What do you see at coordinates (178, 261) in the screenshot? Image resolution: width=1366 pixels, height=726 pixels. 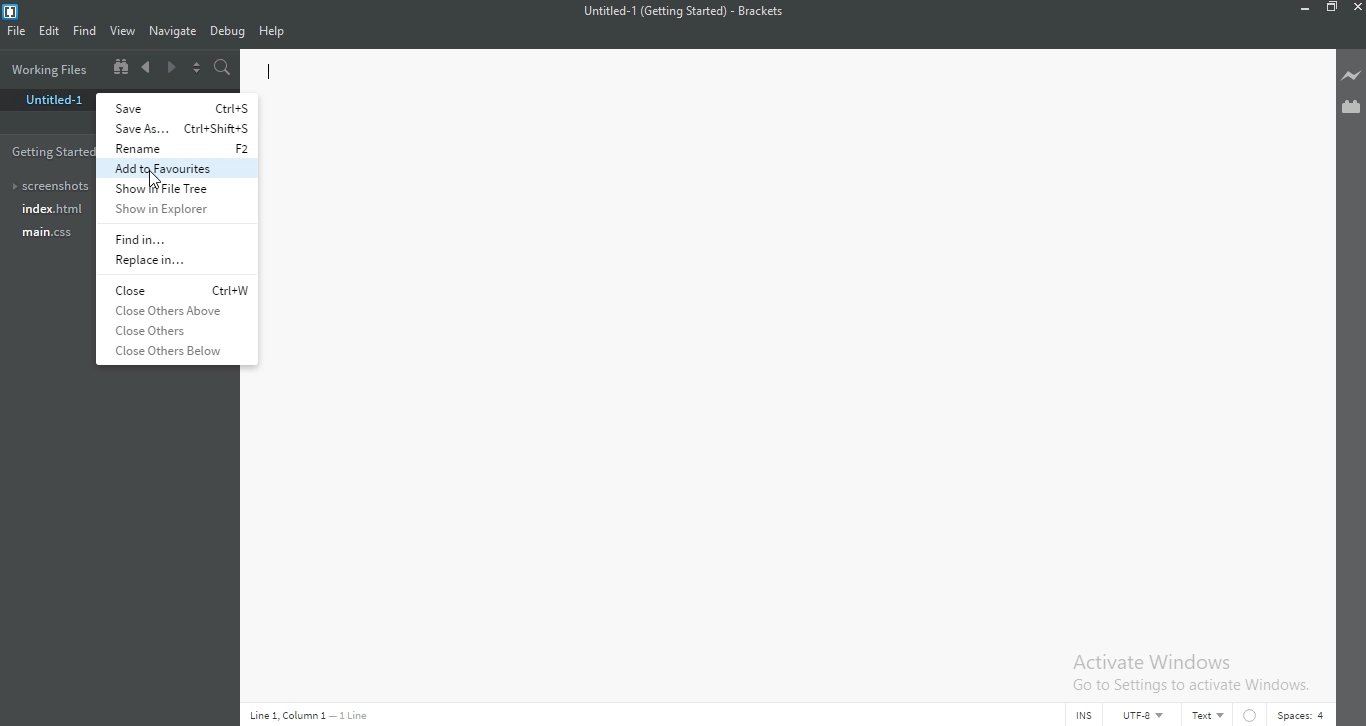 I see `replace in...` at bounding box center [178, 261].